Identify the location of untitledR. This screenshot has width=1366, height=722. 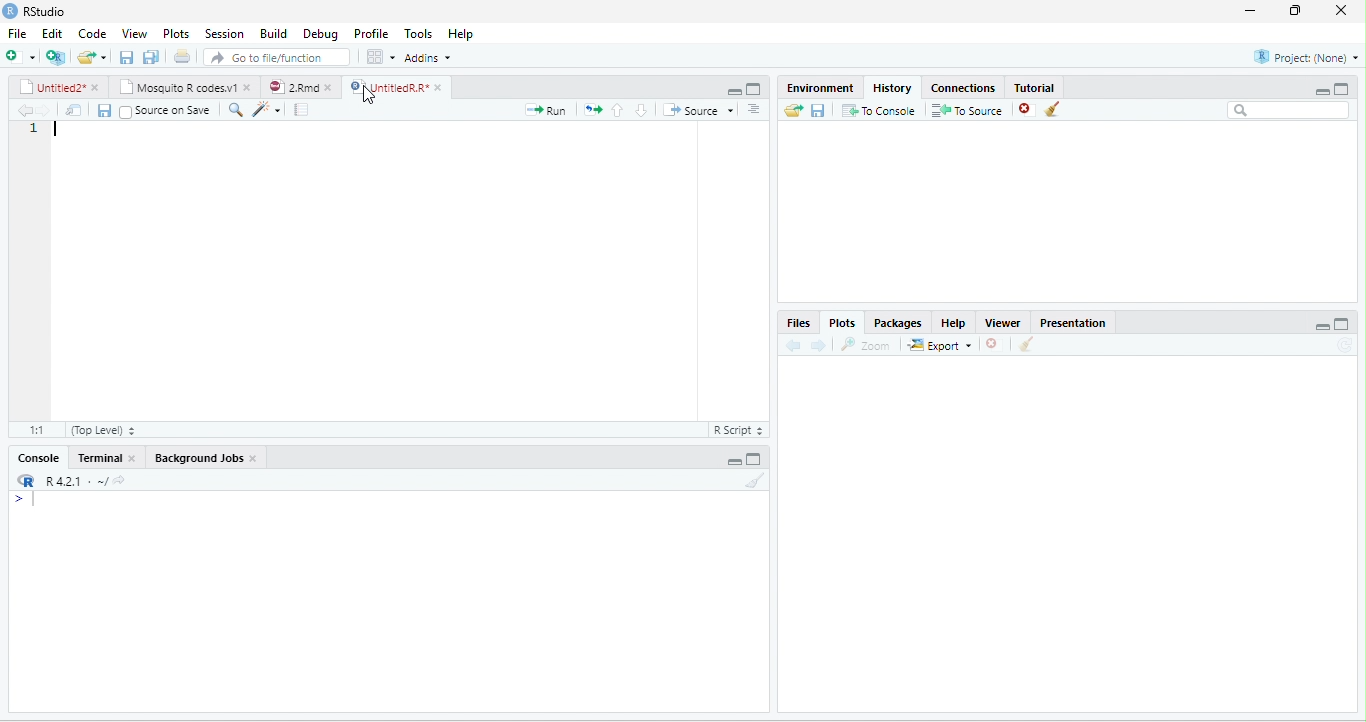
(395, 87).